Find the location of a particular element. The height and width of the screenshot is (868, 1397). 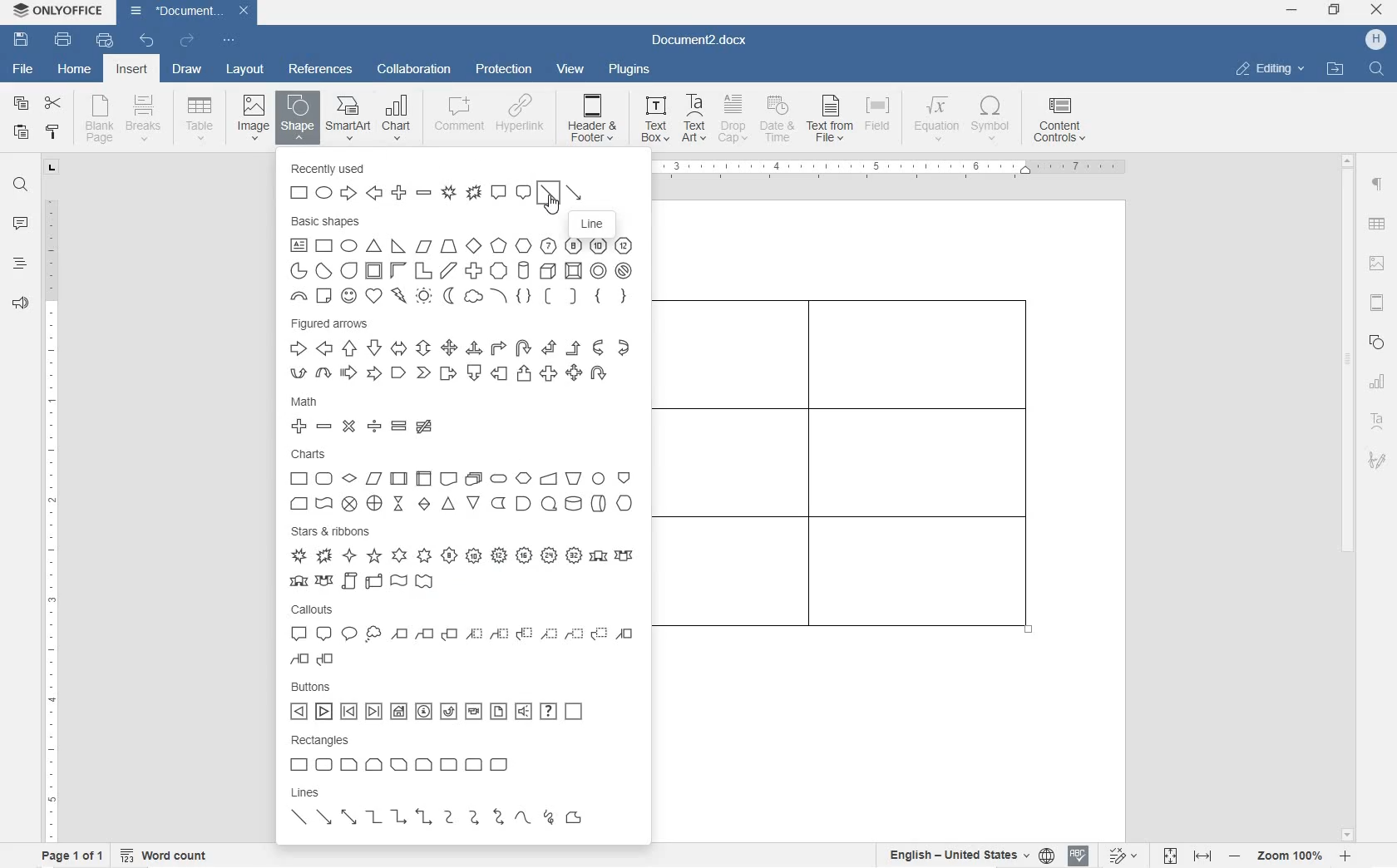

draw is located at coordinates (187, 69).